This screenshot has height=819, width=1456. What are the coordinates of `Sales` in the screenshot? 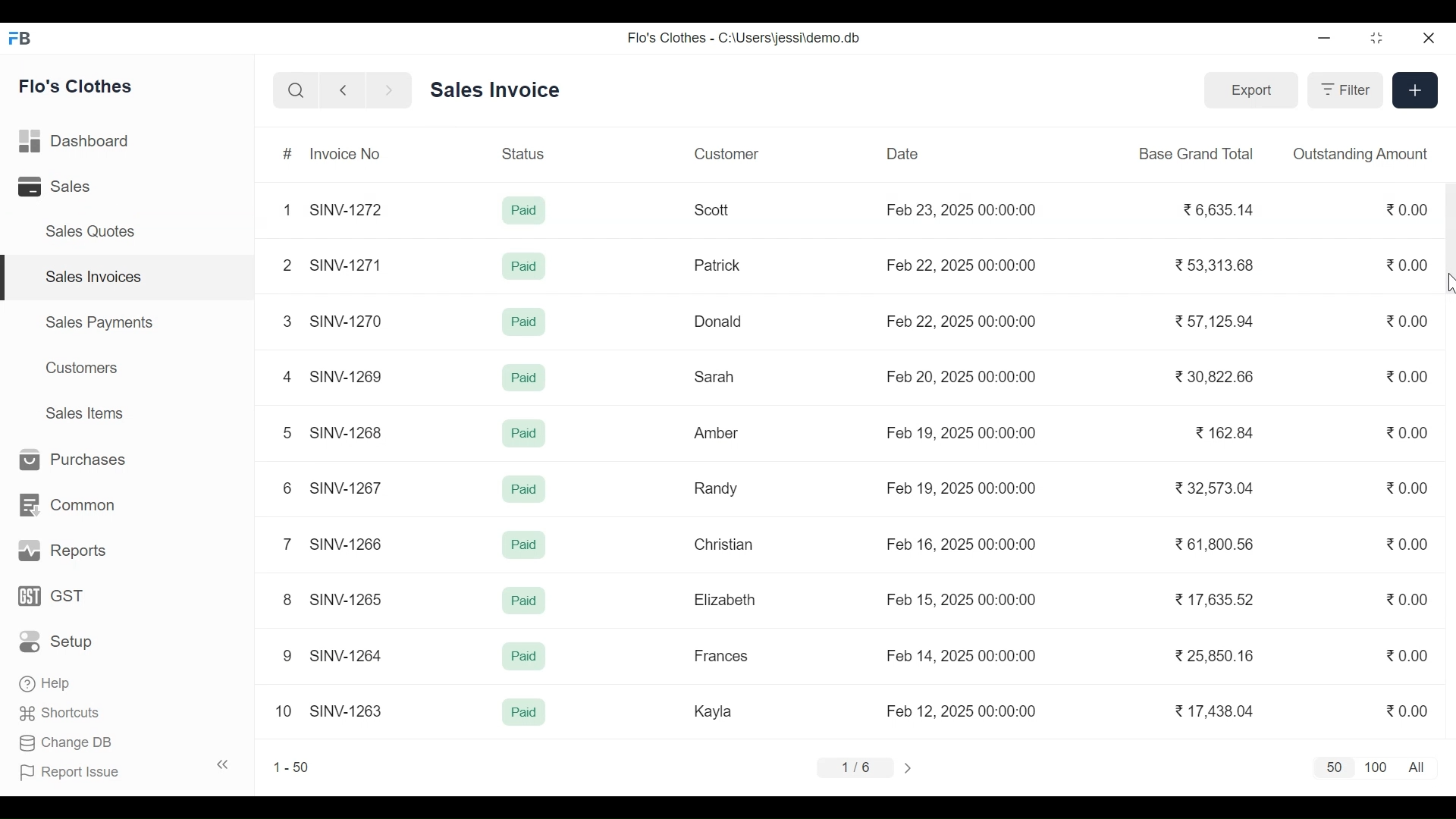 It's located at (58, 187).